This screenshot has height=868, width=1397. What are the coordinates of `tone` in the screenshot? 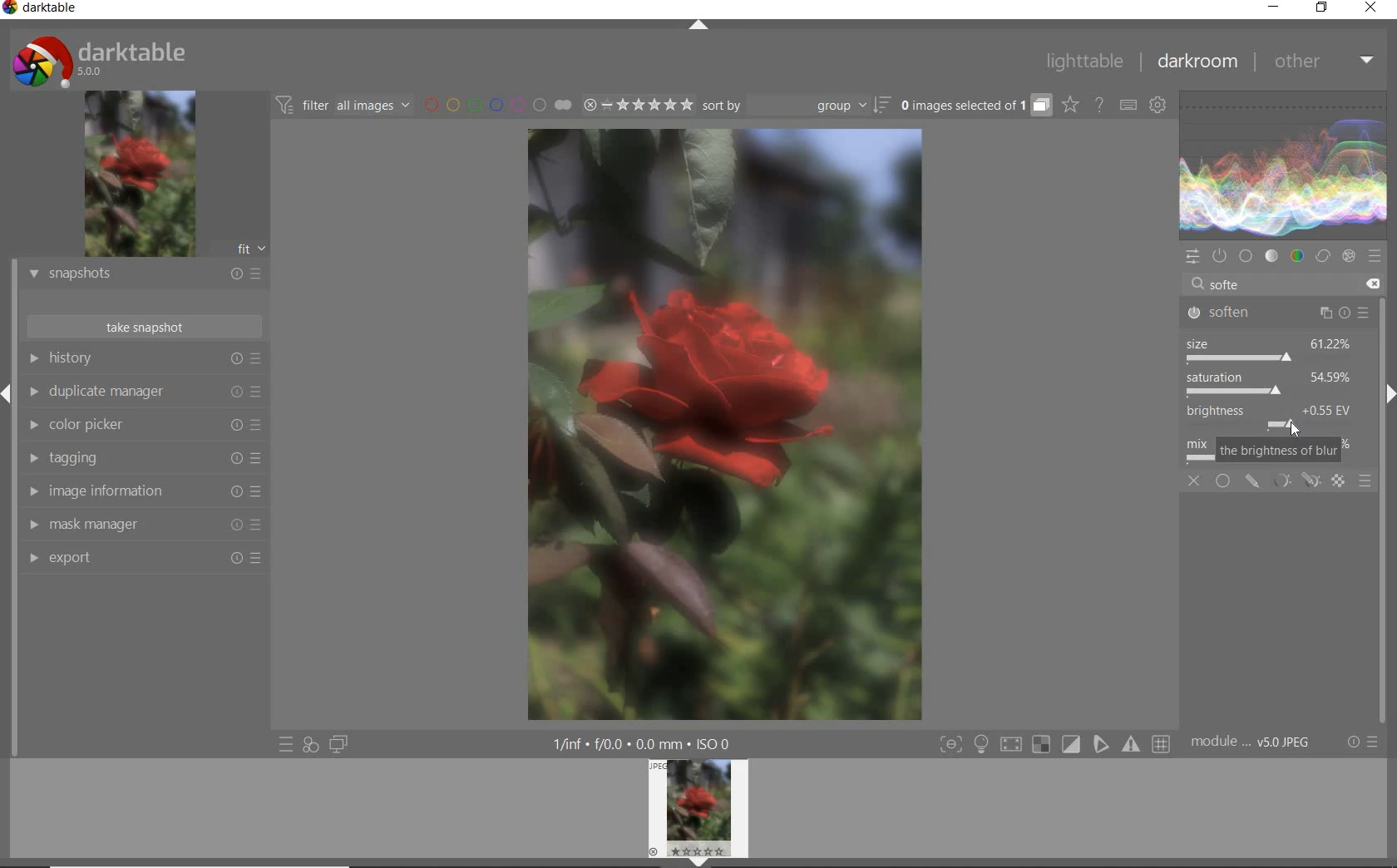 It's located at (1271, 257).